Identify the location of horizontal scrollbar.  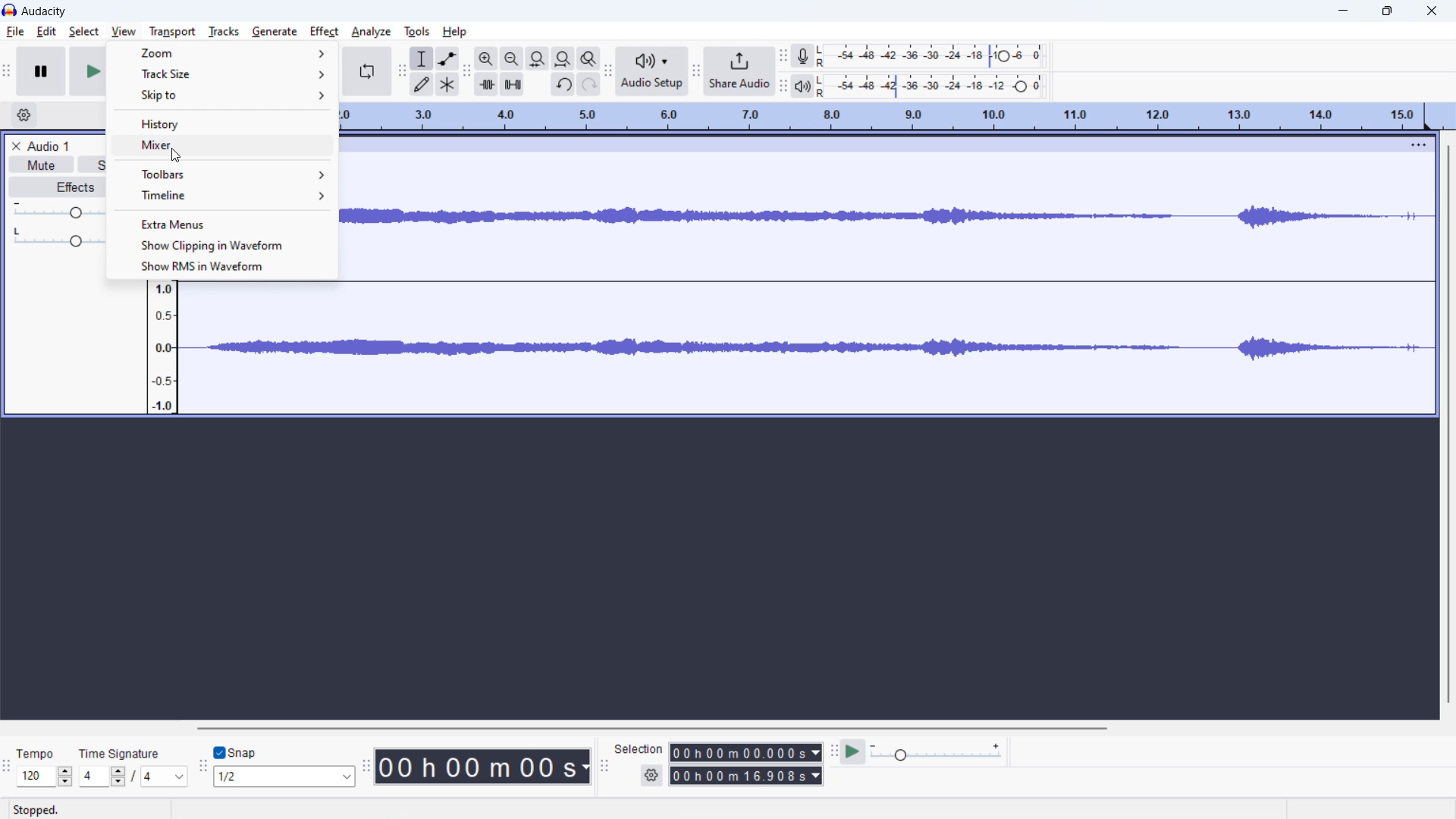
(655, 729).